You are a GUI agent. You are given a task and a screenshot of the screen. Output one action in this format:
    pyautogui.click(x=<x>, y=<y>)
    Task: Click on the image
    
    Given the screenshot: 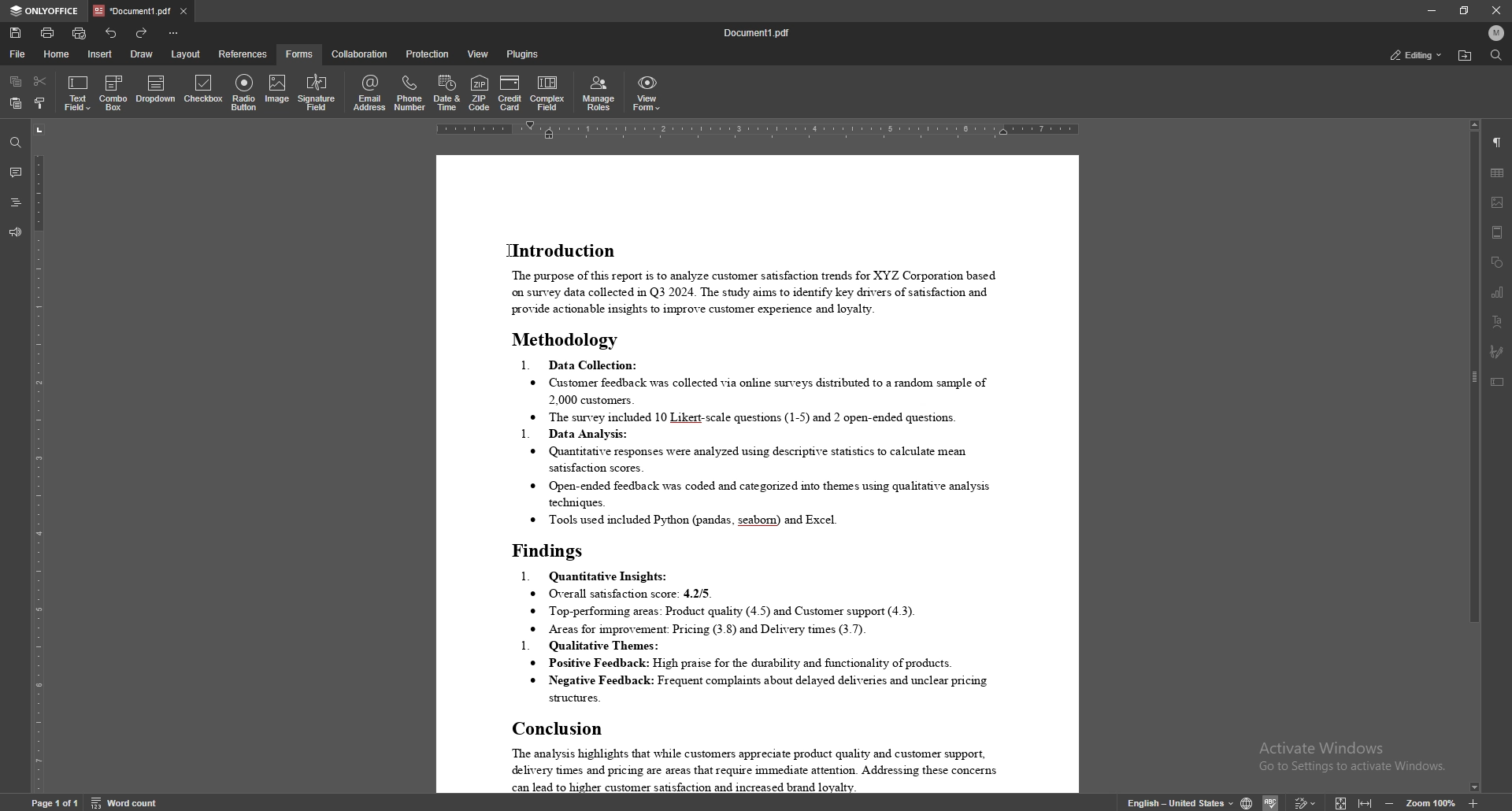 What is the action you would take?
    pyautogui.click(x=1498, y=202)
    